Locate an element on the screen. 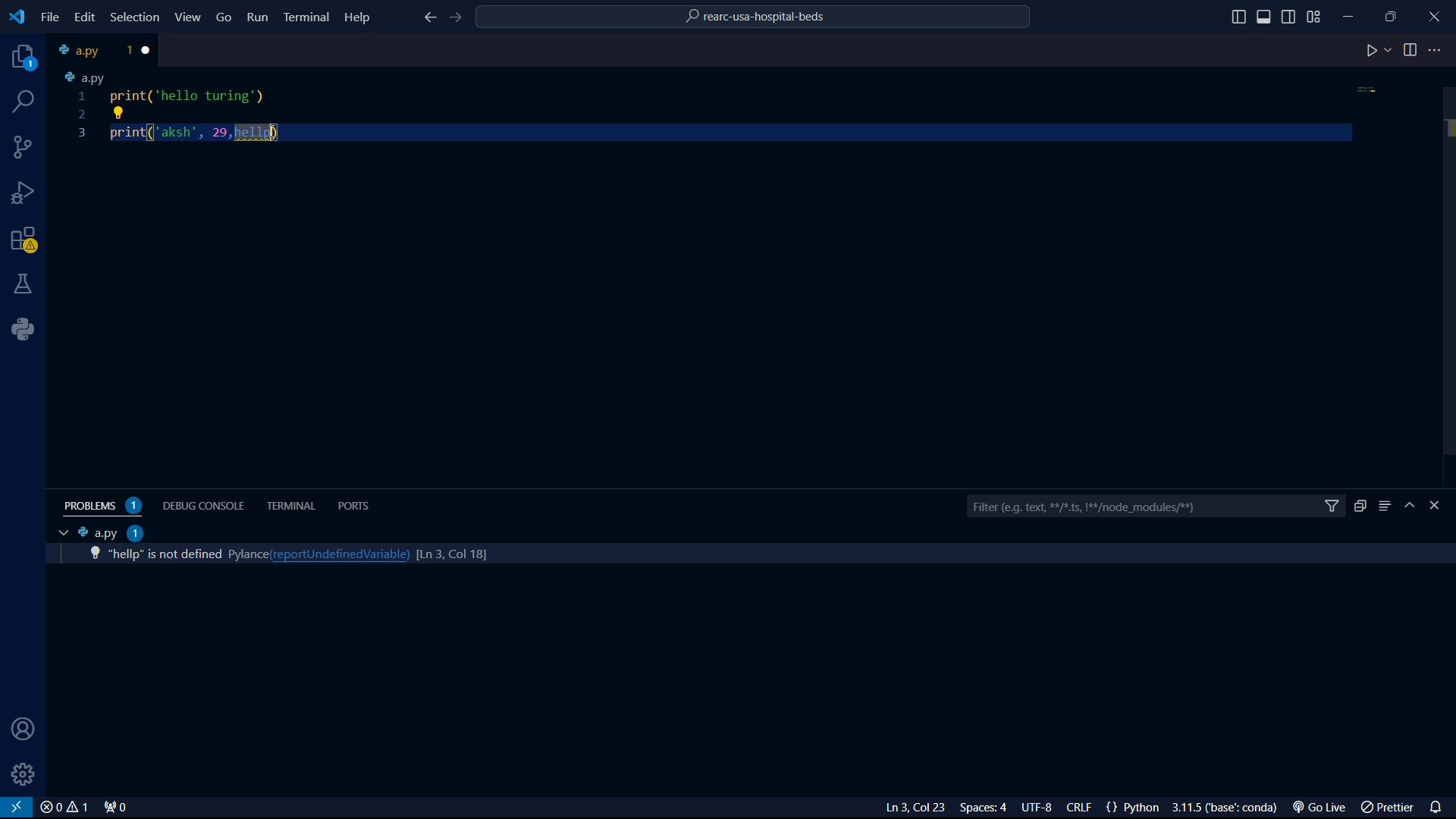 The width and height of the screenshot is (1456, 819). toggle sidebar is located at coordinates (1266, 17).